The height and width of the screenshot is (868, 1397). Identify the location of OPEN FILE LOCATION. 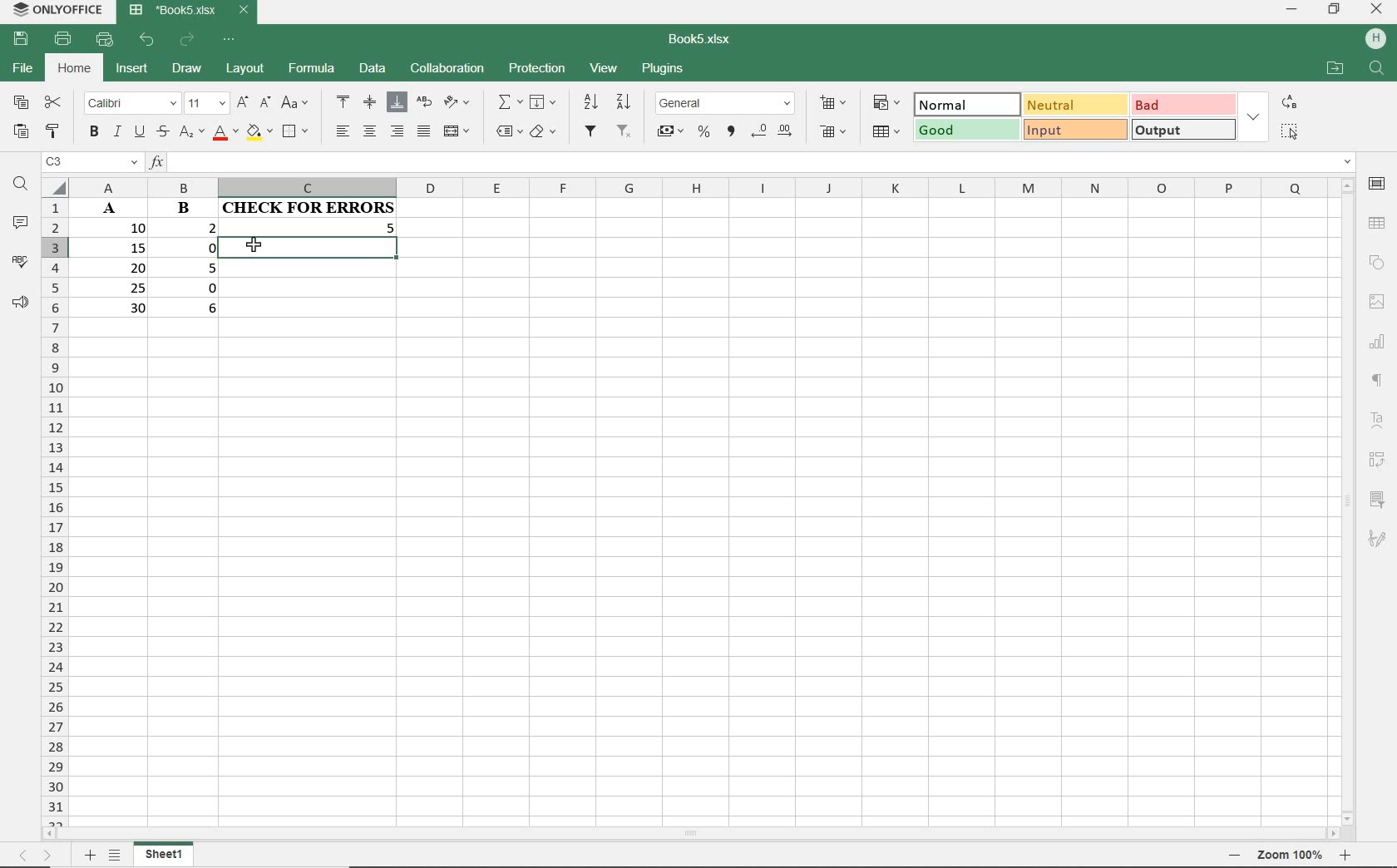
(1334, 67).